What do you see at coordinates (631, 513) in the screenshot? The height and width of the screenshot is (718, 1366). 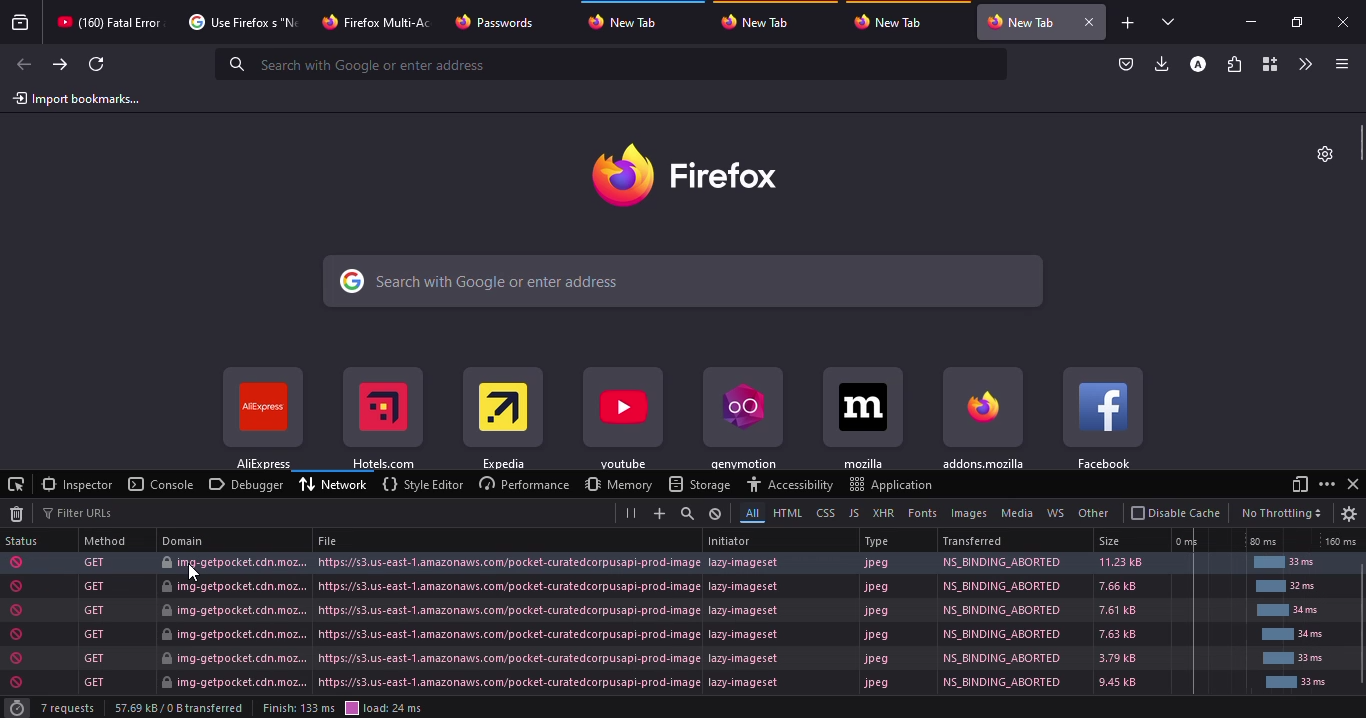 I see `pause` at bounding box center [631, 513].